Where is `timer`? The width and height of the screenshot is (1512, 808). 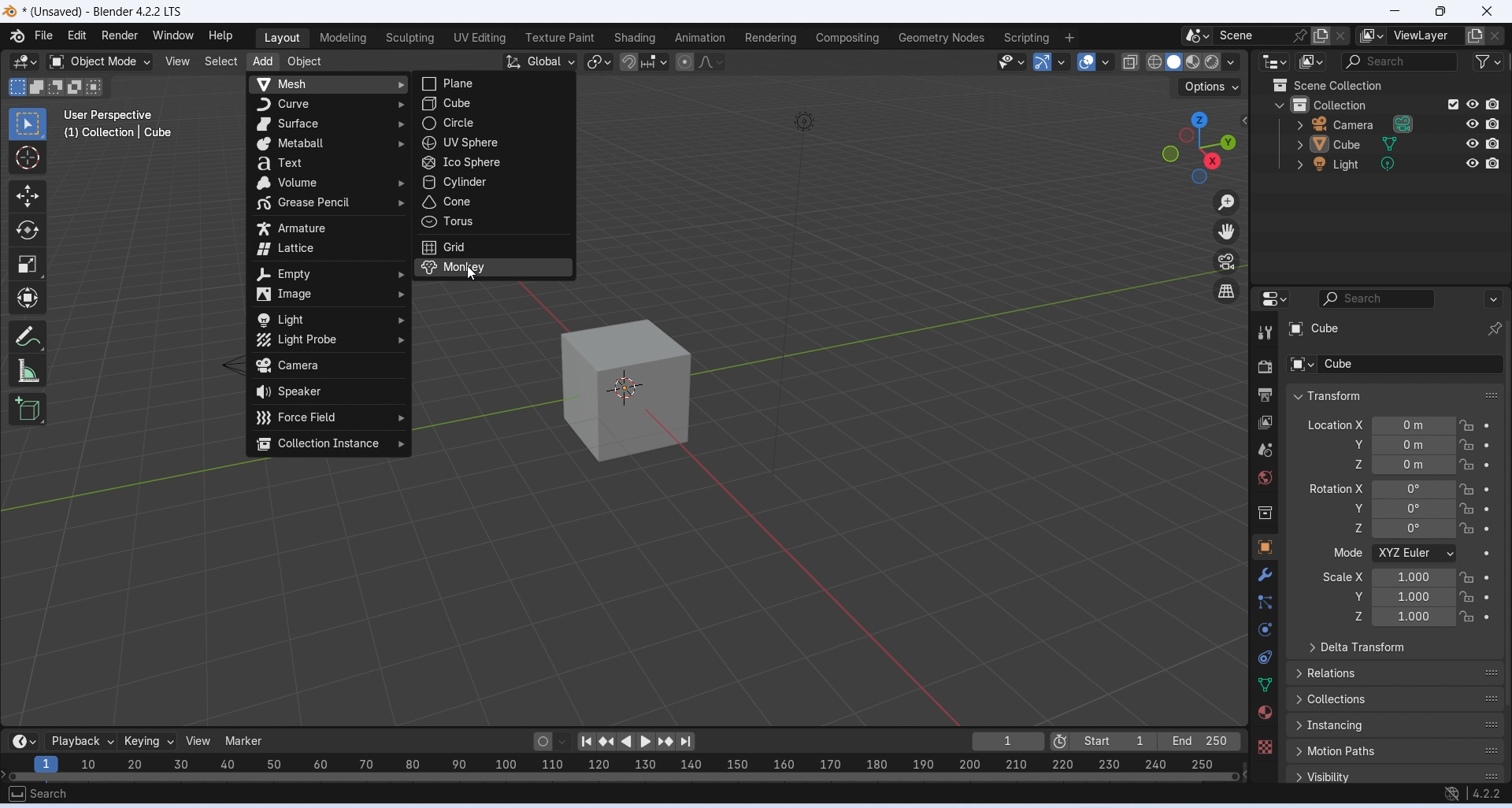
timer is located at coordinates (24, 741).